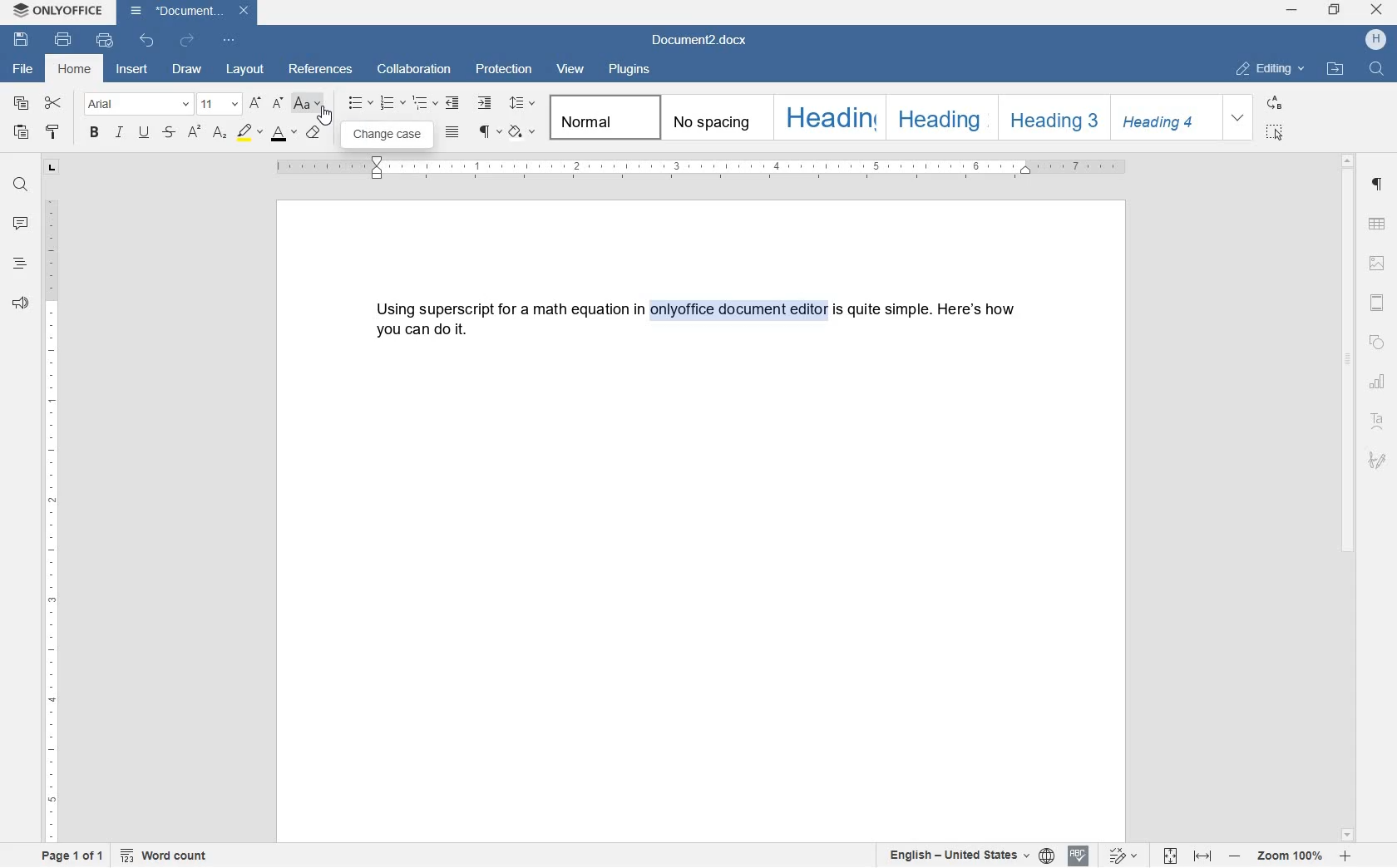 The image size is (1397, 868). I want to click on print, so click(63, 40).